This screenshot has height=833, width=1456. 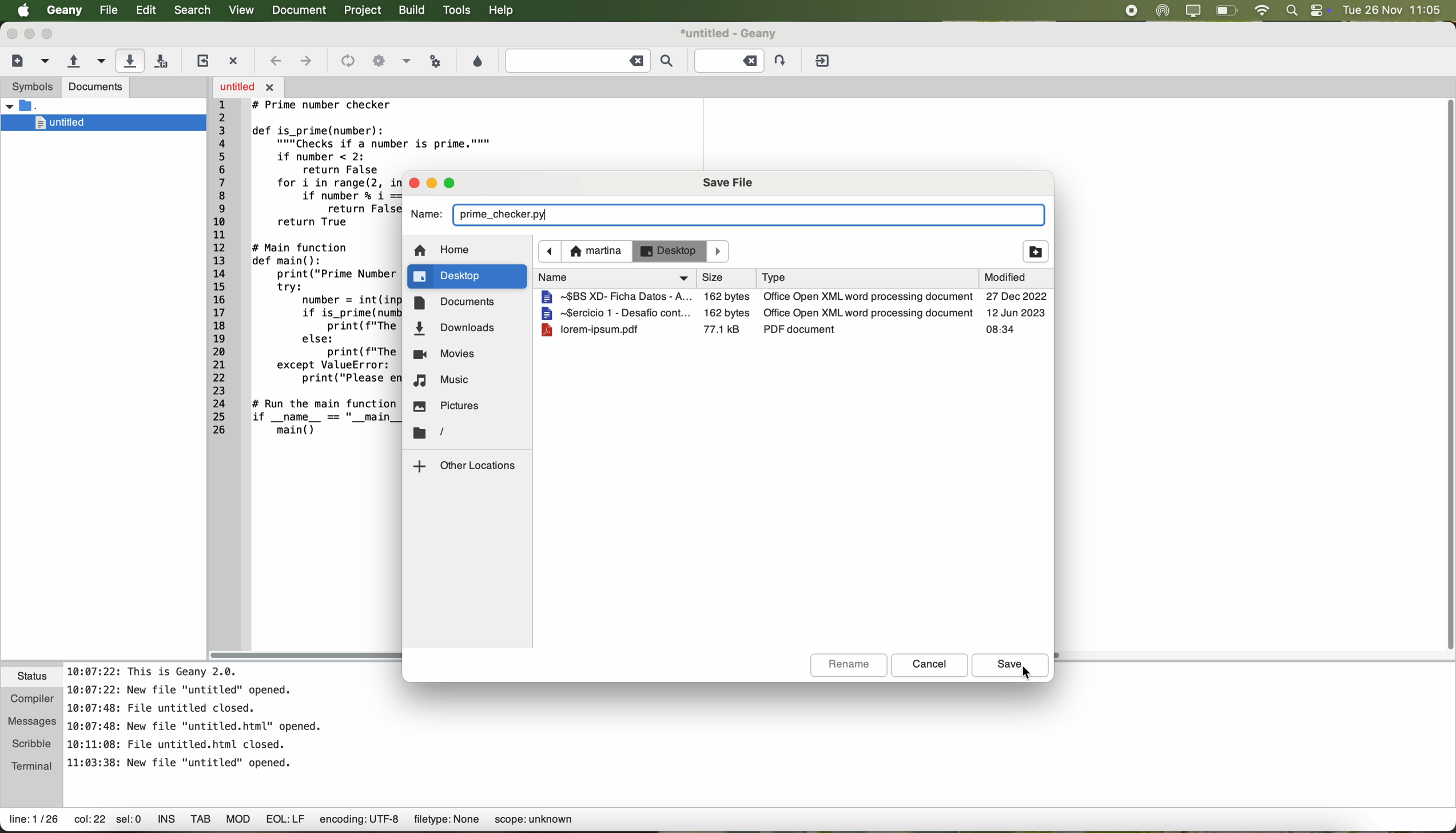 I want to click on terminal, so click(x=33, y=766).